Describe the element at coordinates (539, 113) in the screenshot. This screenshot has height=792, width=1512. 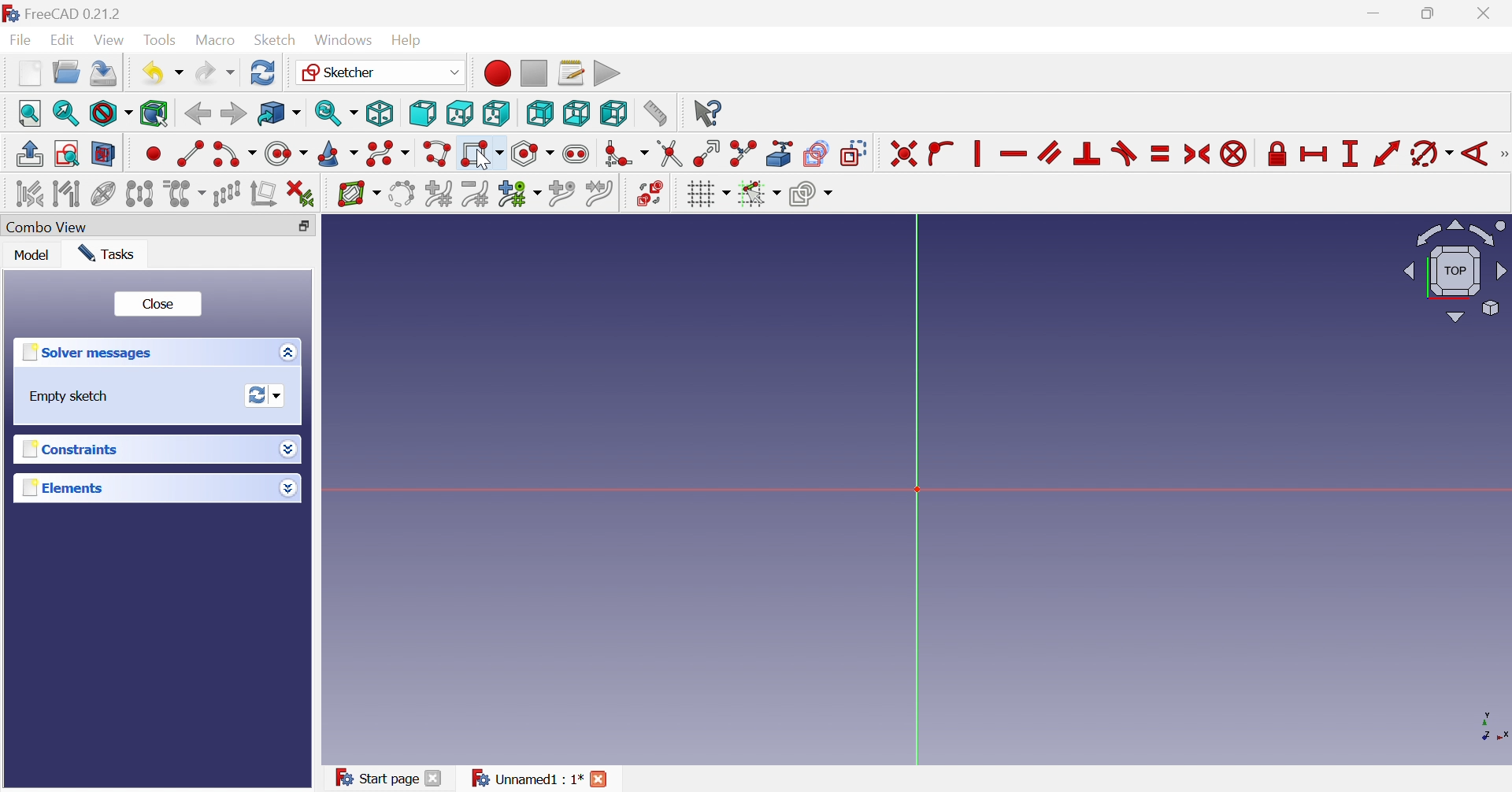
I see `Rear` at that location.